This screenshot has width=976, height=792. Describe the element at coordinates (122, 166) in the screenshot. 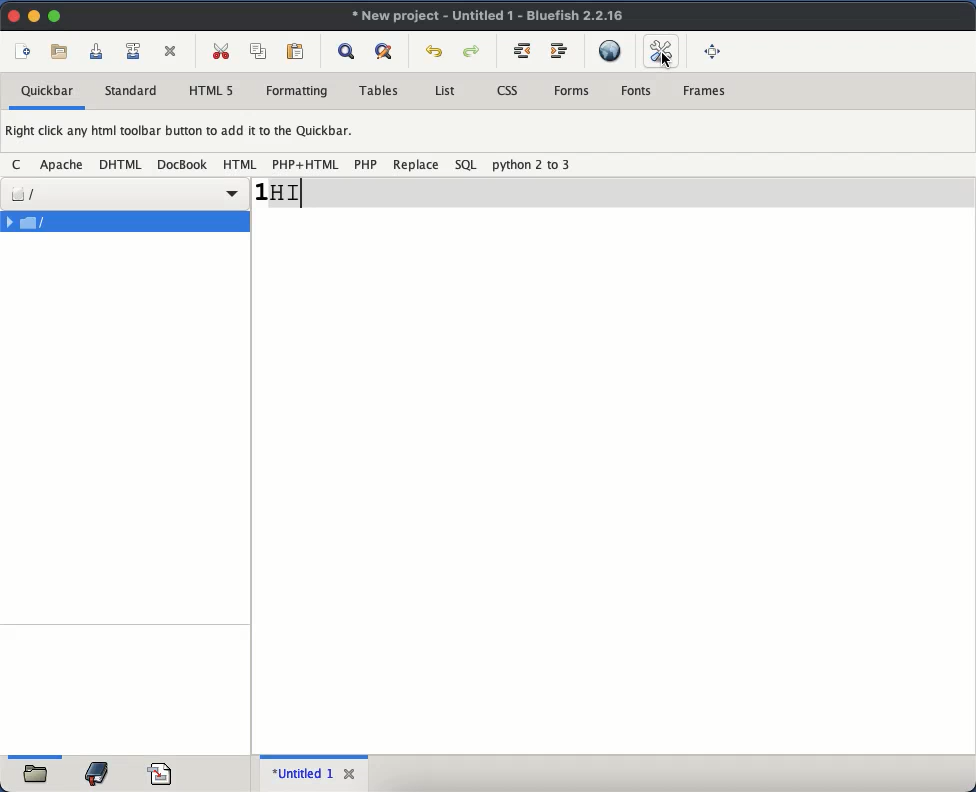

I see `dhtml` at that location.